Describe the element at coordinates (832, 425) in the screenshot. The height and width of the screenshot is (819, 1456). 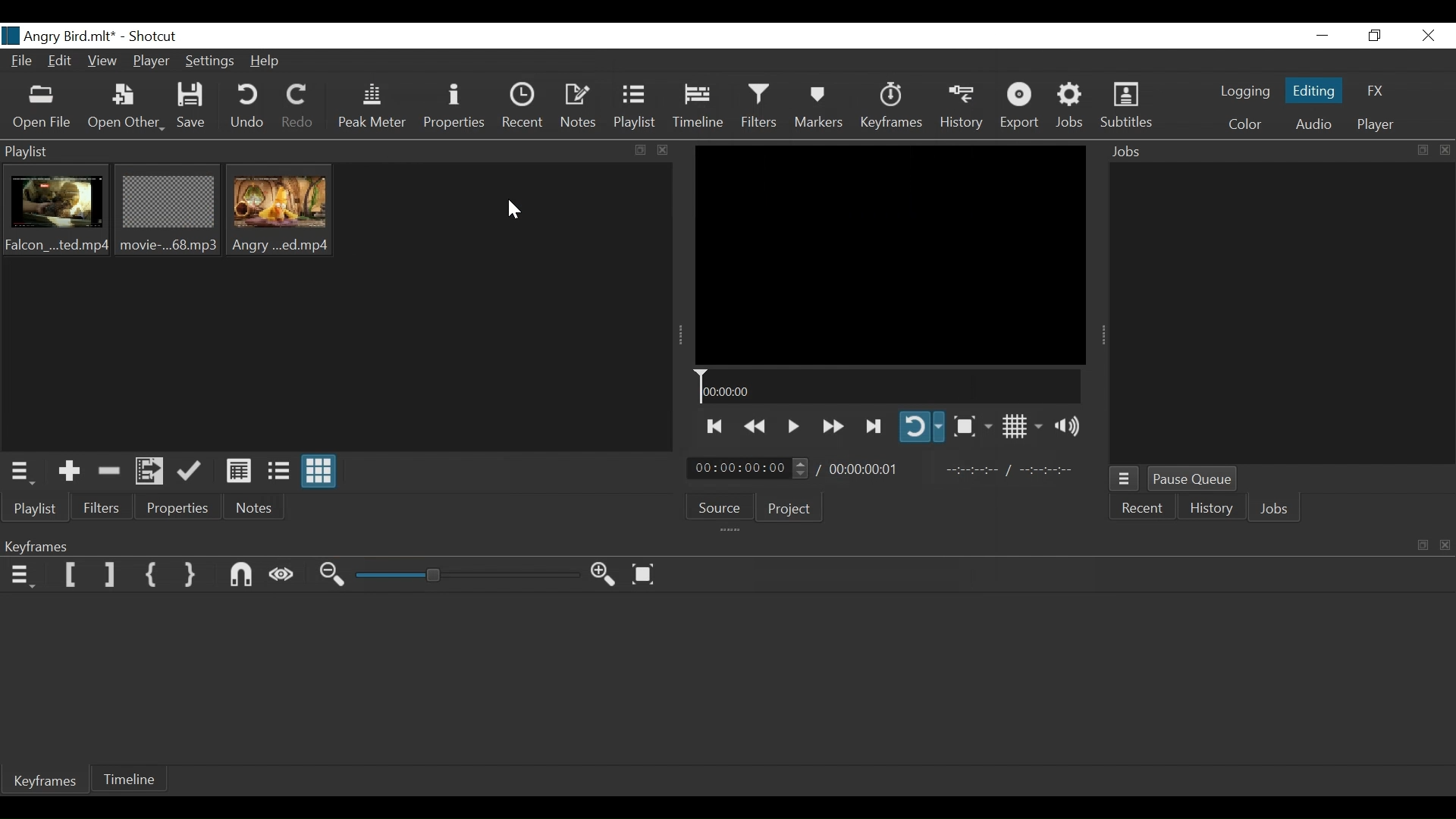
I see `Go quickly forward ` at that location.